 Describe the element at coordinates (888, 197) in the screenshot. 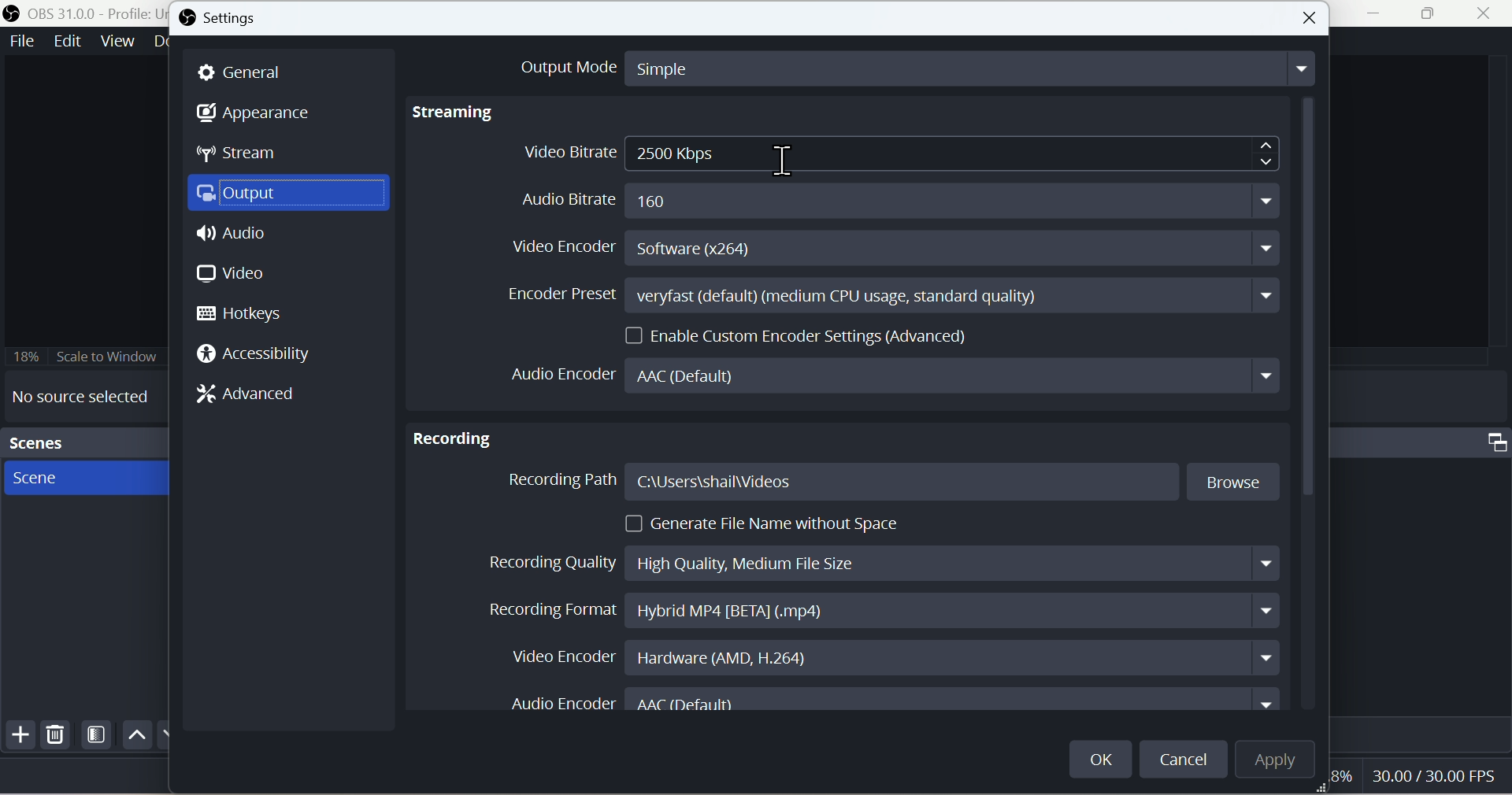

I see `Audio Bitrate` at that location.